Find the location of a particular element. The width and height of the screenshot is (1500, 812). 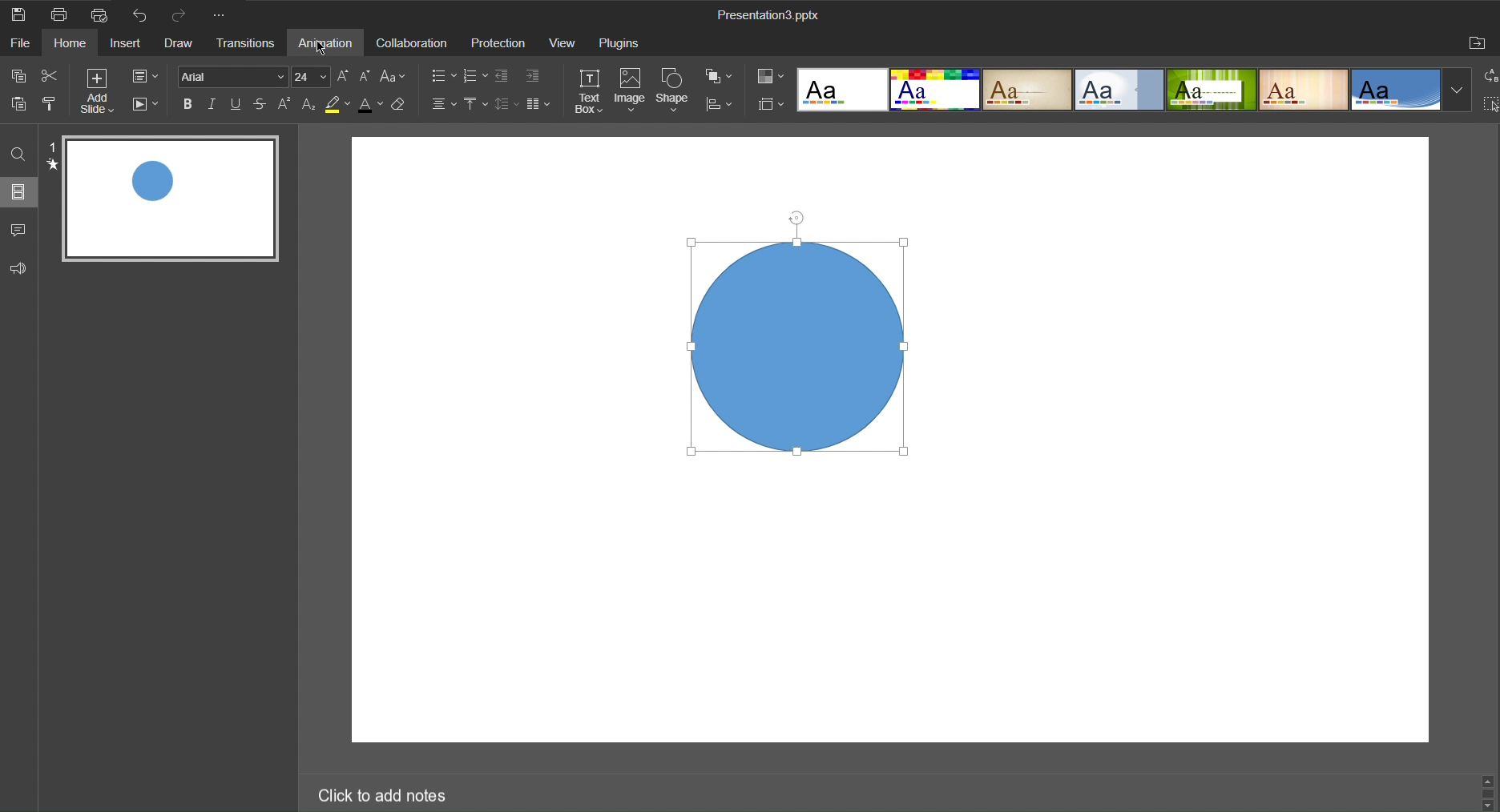

Add Slide is located at coordinates (101, 90).